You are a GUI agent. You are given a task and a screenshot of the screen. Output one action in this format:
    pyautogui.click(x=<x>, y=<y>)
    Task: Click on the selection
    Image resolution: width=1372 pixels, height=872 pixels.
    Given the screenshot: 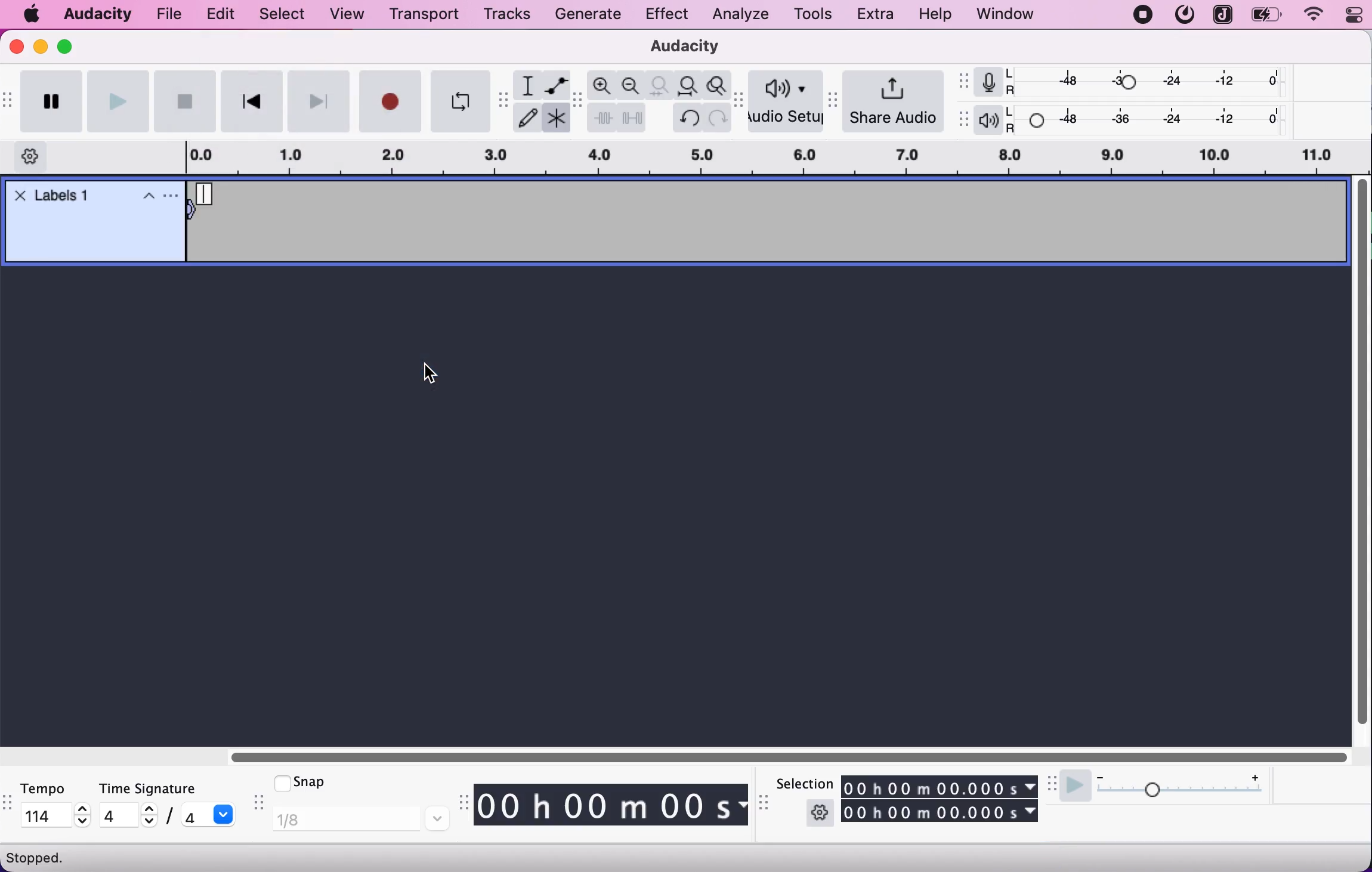 What is the action you would take?
    pyautogui.click(x=803, y=783)
    